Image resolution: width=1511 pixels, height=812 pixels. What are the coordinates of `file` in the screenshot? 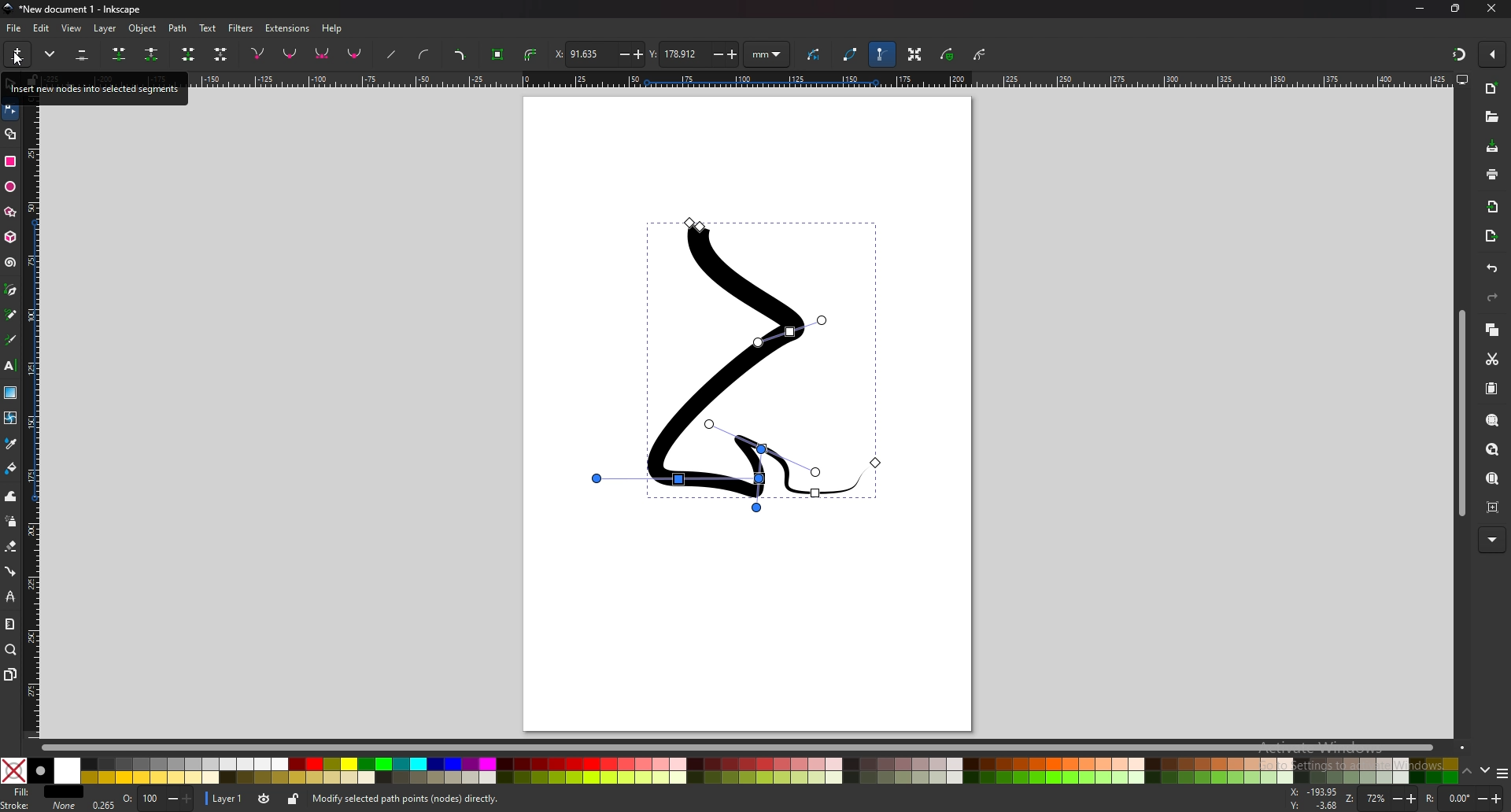 It's located at (16, 28).